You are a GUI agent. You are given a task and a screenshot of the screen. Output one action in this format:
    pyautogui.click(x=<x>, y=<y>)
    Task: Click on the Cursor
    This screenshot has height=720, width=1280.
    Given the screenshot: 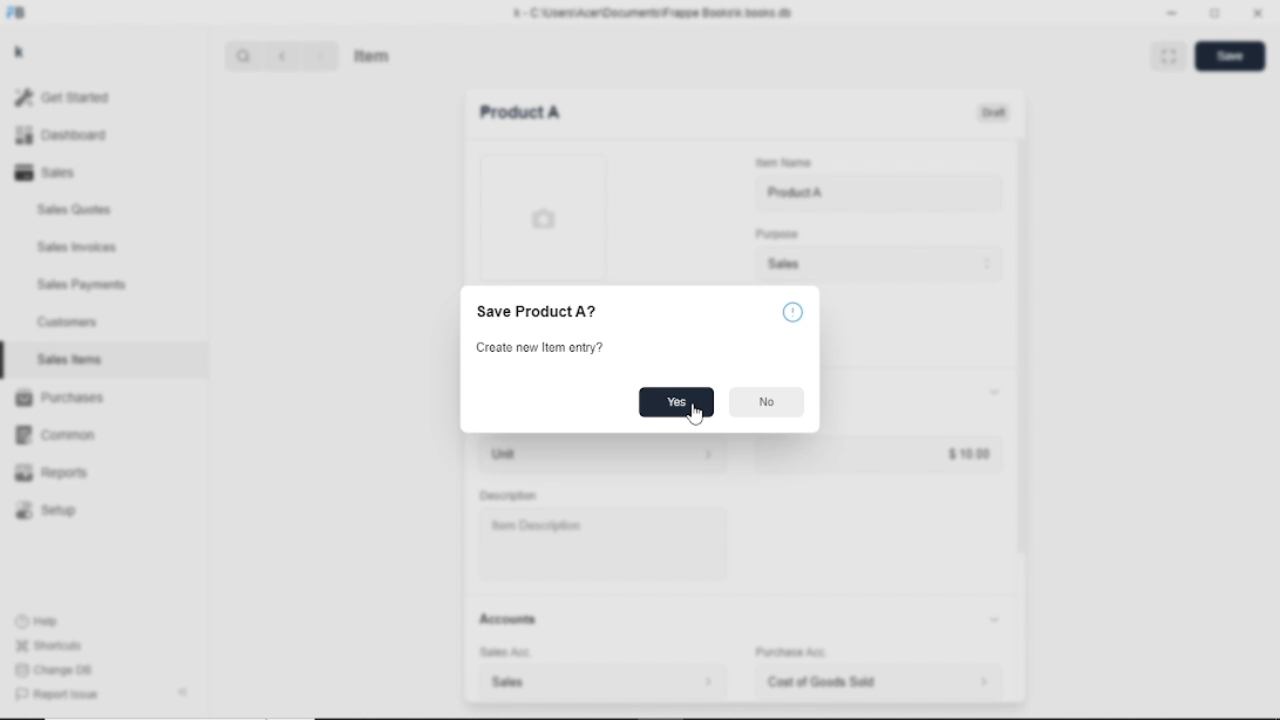 What is the action you would take?
    pyautogui.click(x=696, y=415)
    